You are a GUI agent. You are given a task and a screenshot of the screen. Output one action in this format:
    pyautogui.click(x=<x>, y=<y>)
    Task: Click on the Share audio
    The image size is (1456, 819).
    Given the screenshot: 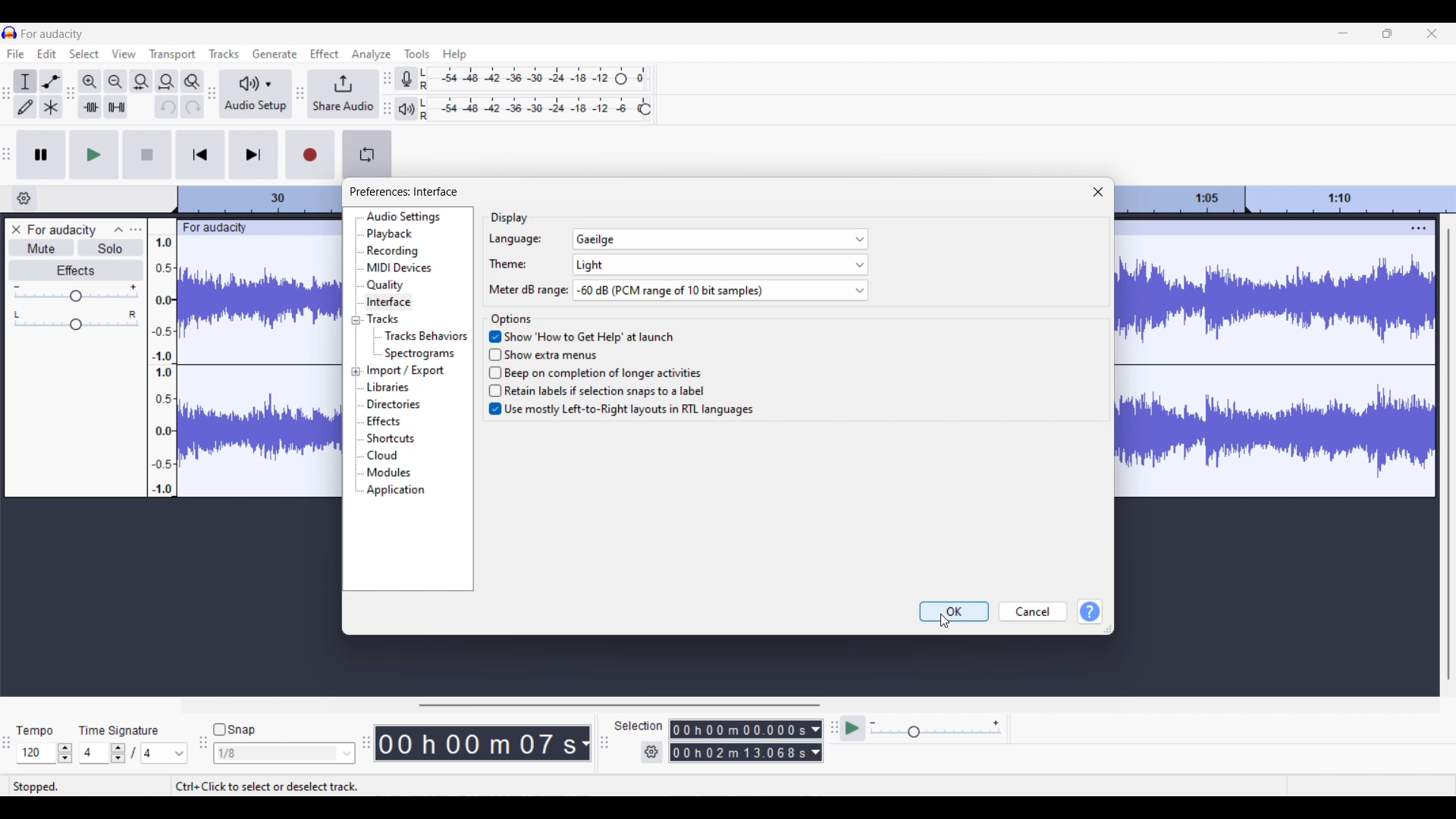 What is the action you would take?
    pyautogui.click(x=343, y=95)
    